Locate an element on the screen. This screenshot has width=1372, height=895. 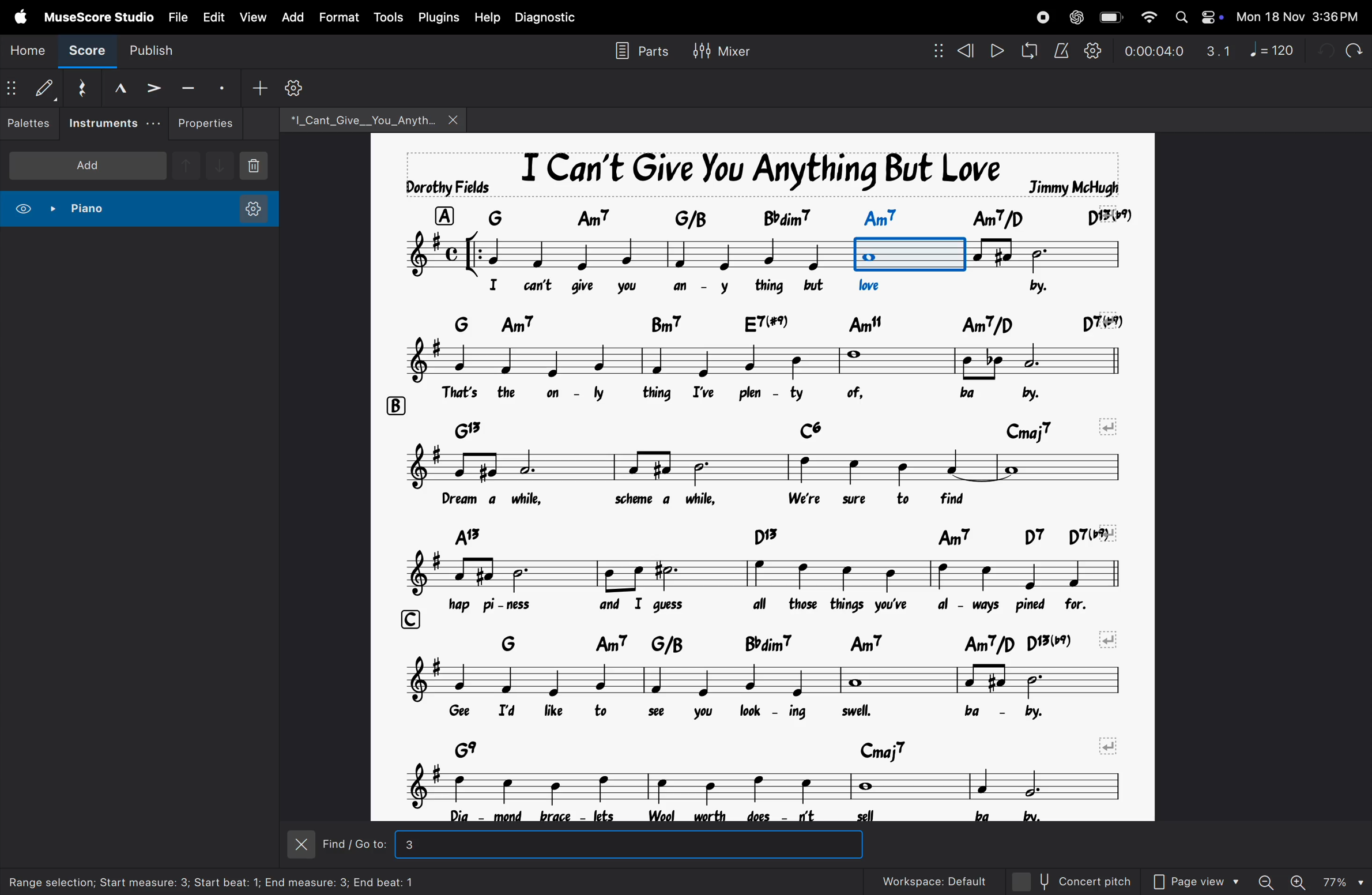
zoom percentage is located at coordinates (1344, 882).